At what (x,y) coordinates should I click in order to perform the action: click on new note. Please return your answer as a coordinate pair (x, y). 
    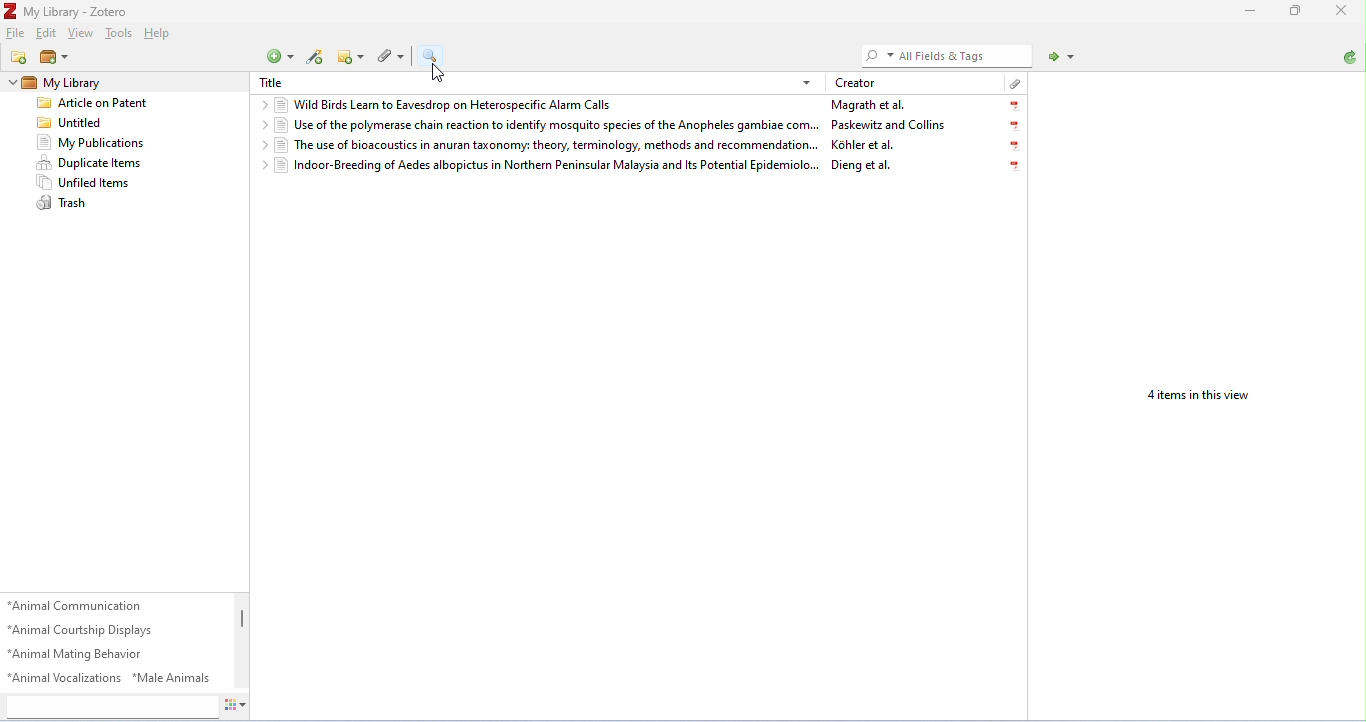
    Looking at the image, I should click on (351, 56).